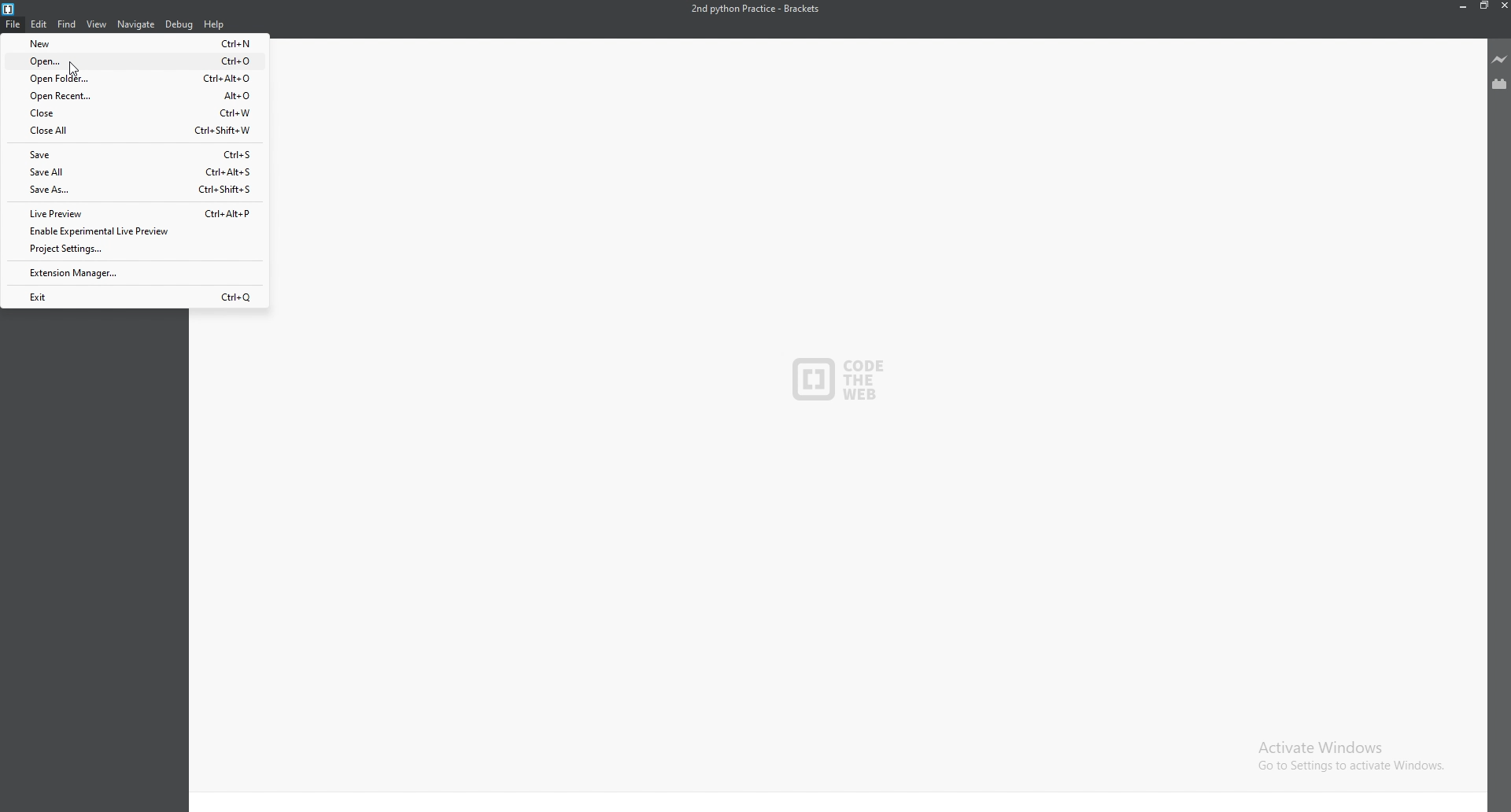 The image size is (1511, 812). What do you see at coordinates (759, 9) in the screenshot?
I see `2nd python practice - brackets` at bounding box center [759, 9].